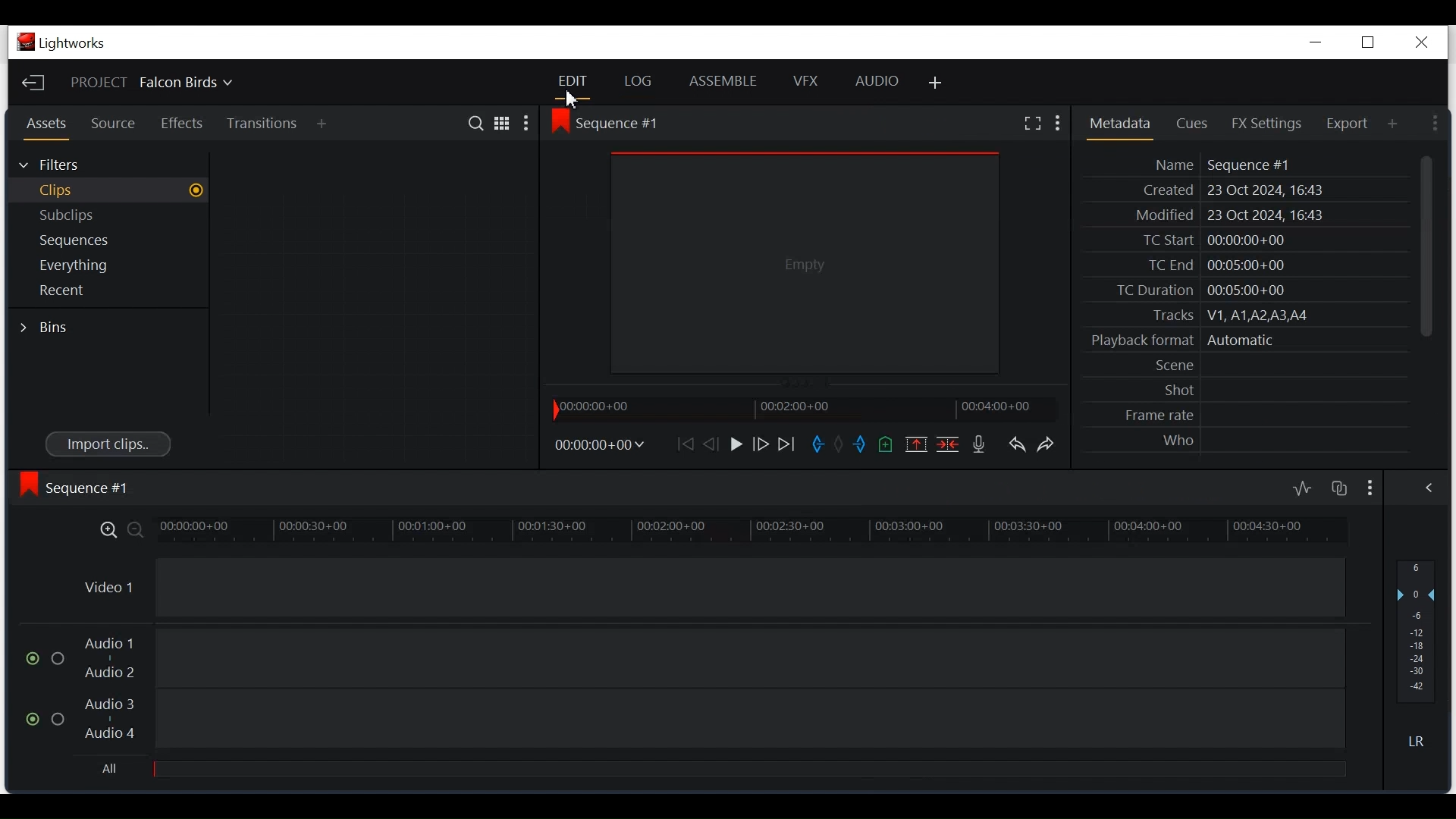 Image resolution: width=1456 pixels, height=819 pixels. I want to click on Fullscreen, so click(1034, 122).